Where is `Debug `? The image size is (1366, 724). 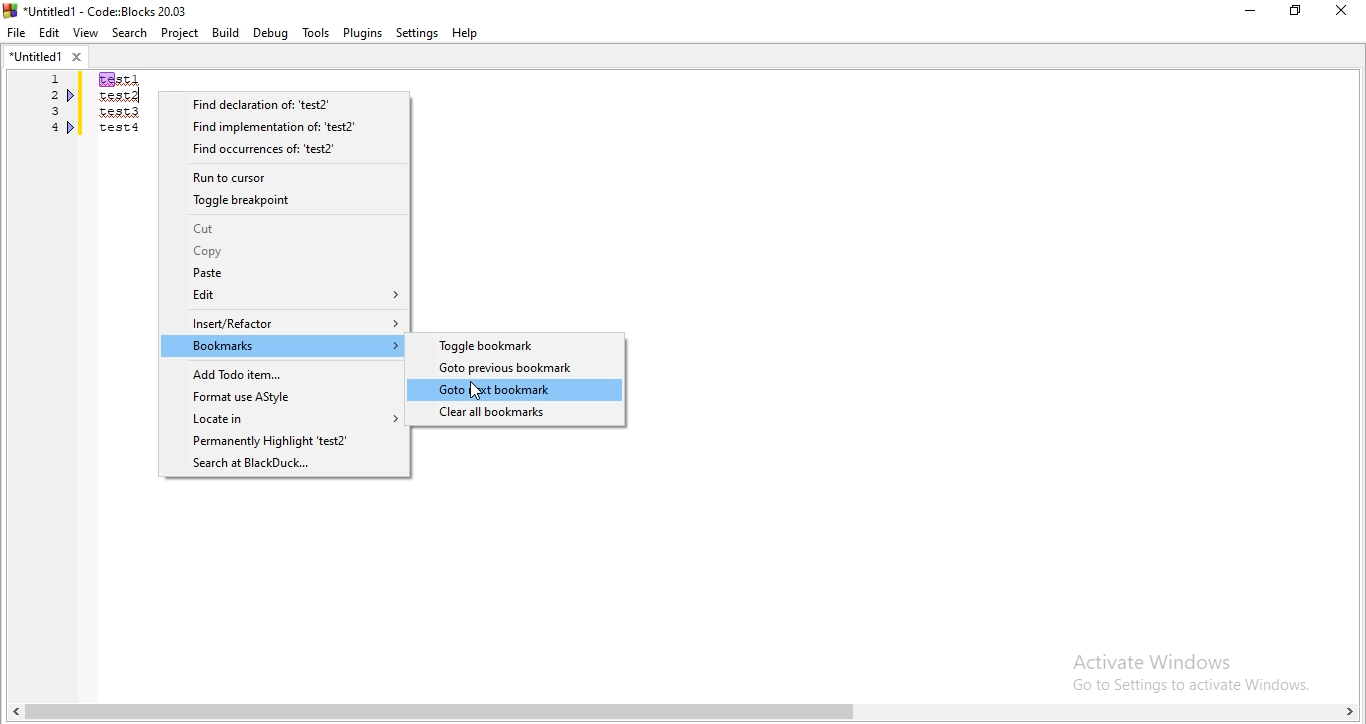
Debug  is located at coordinates (271, 33).